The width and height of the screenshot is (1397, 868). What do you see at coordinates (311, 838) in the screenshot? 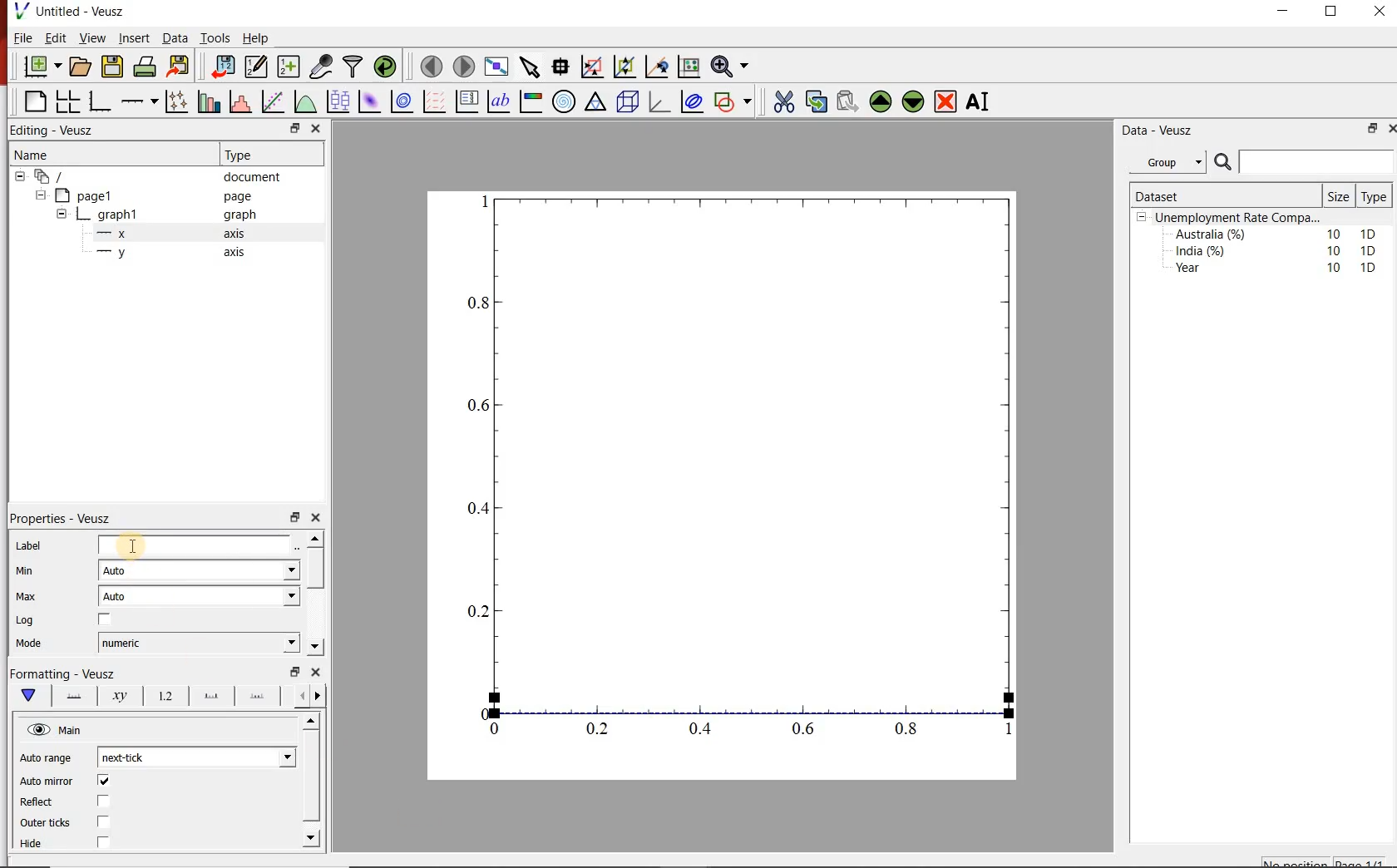
I see `move down` at bounding box center [311, 838].